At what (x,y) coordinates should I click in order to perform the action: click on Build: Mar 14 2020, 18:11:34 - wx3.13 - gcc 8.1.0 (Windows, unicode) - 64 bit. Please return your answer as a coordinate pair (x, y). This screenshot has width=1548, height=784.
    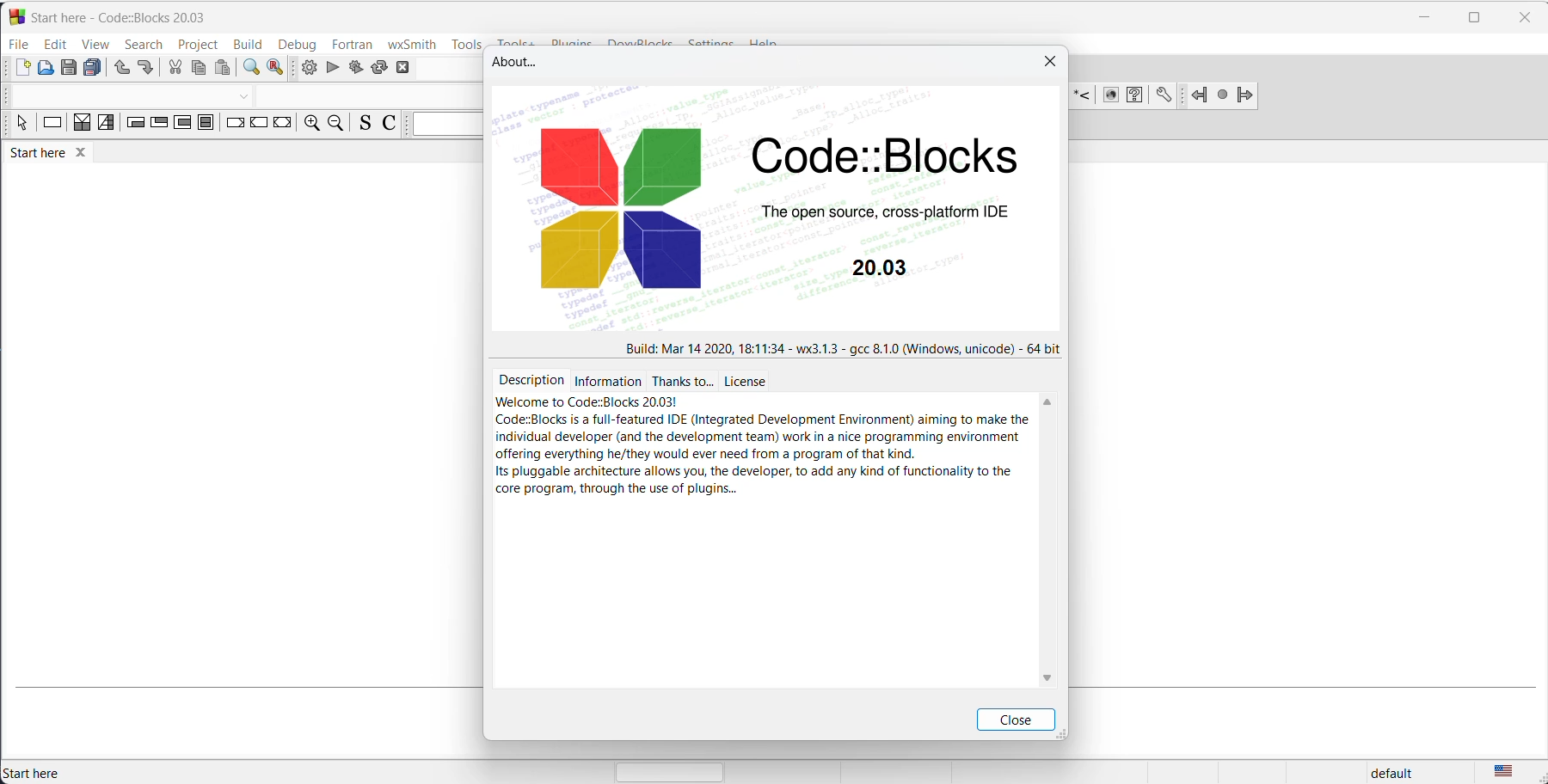
    Looking at the image, I should click on (842, 348).